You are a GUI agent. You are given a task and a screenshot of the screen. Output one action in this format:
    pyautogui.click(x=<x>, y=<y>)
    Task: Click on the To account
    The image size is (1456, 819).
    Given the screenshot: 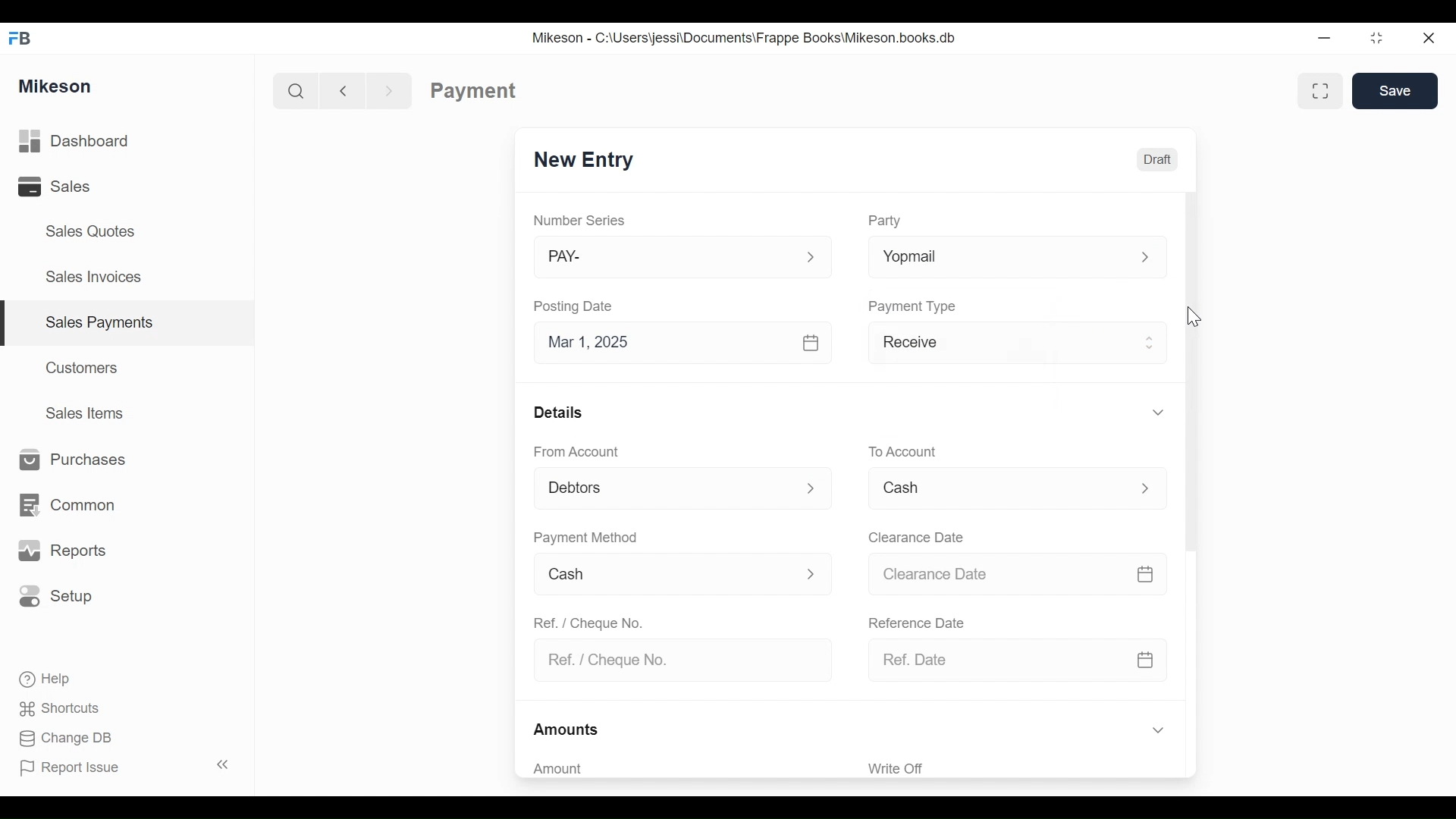 What is the action you would take?
    pyautogui.click(x=915, y=450)
    